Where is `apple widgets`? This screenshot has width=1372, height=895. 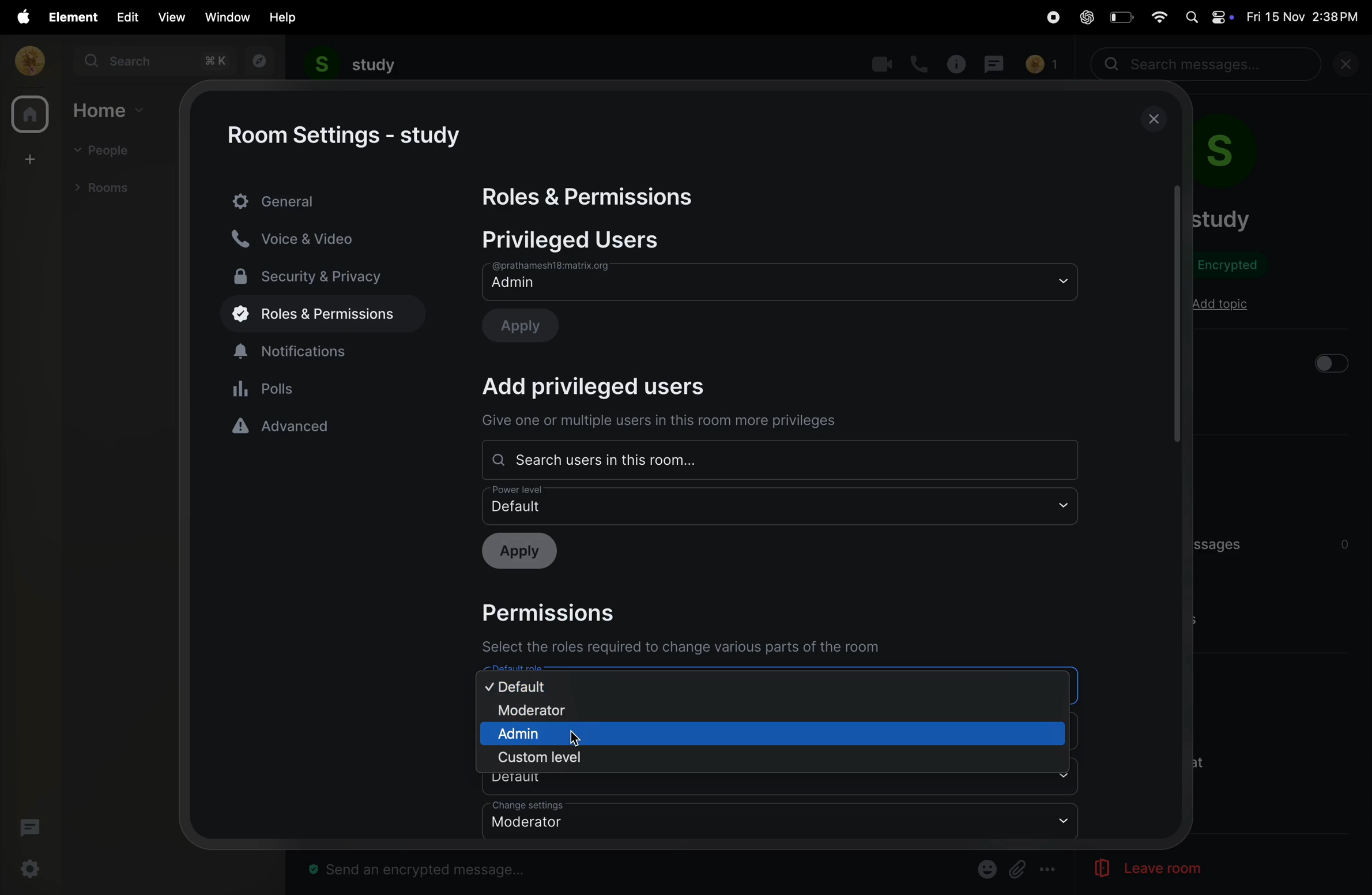 apple widgets is located at coordinates (1208, 16).